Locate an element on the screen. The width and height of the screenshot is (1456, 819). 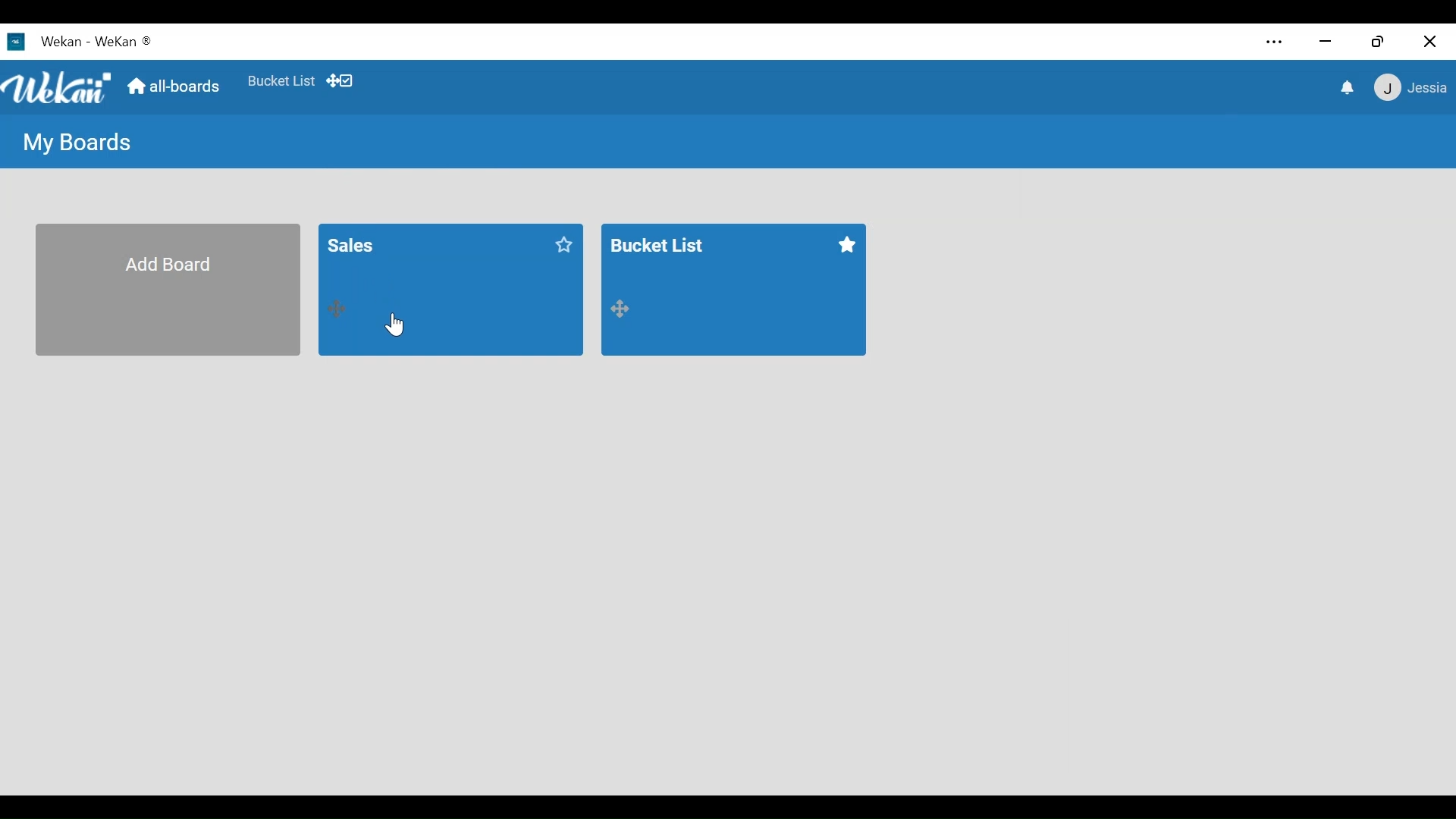
Cursor is located at coordinates (394, 326).